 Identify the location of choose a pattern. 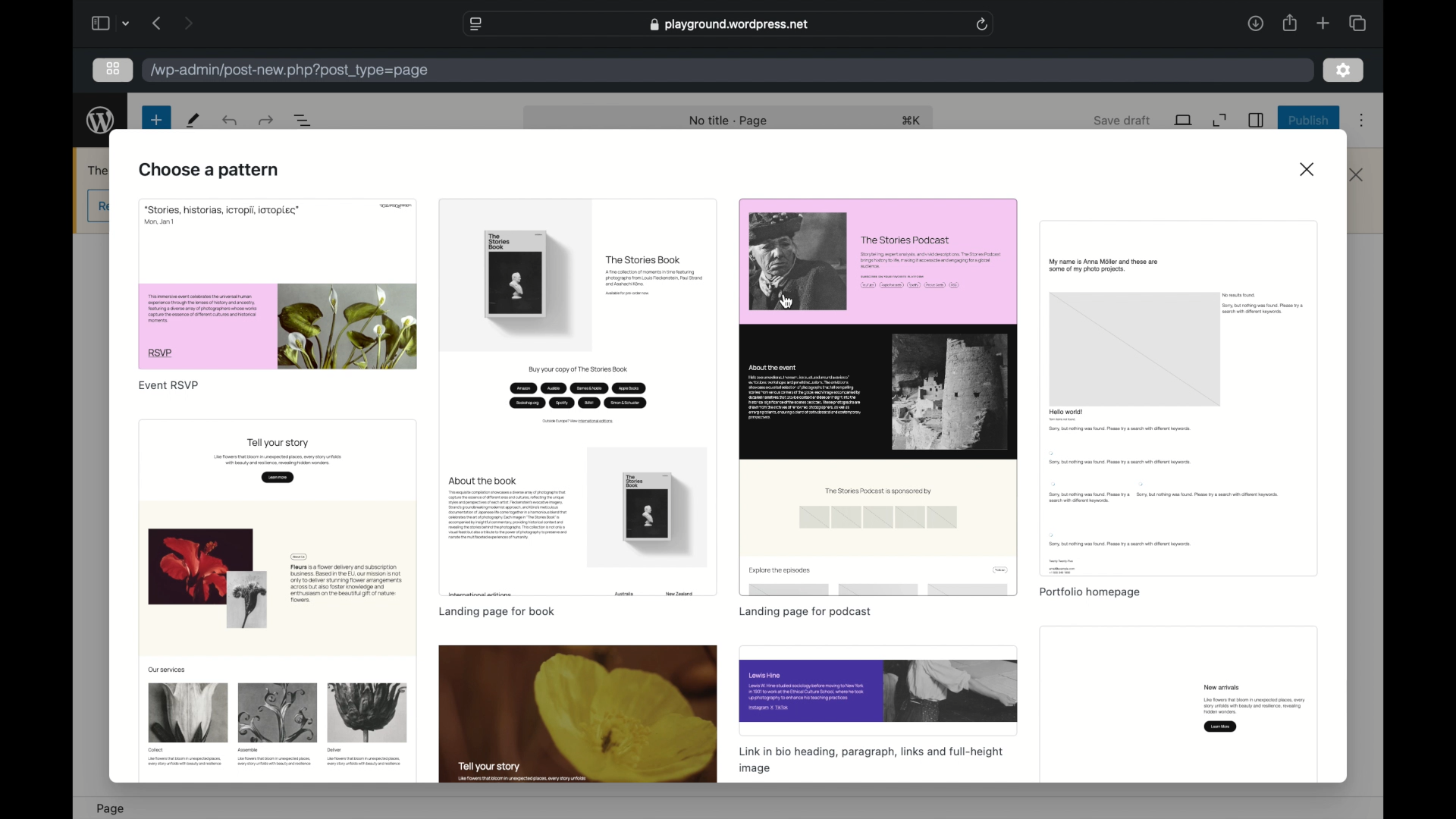
(212, 171).